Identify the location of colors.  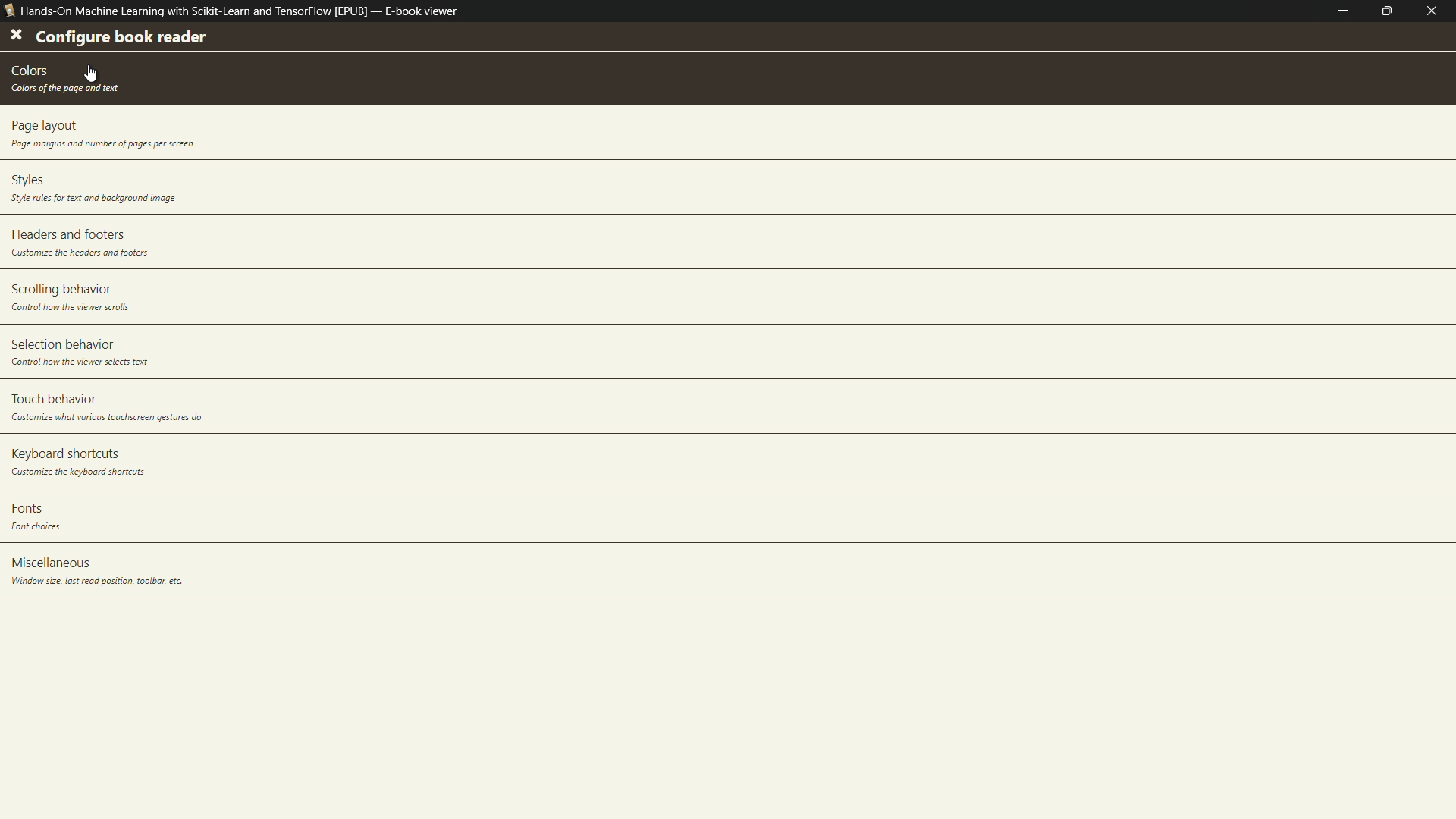
(33, 71).